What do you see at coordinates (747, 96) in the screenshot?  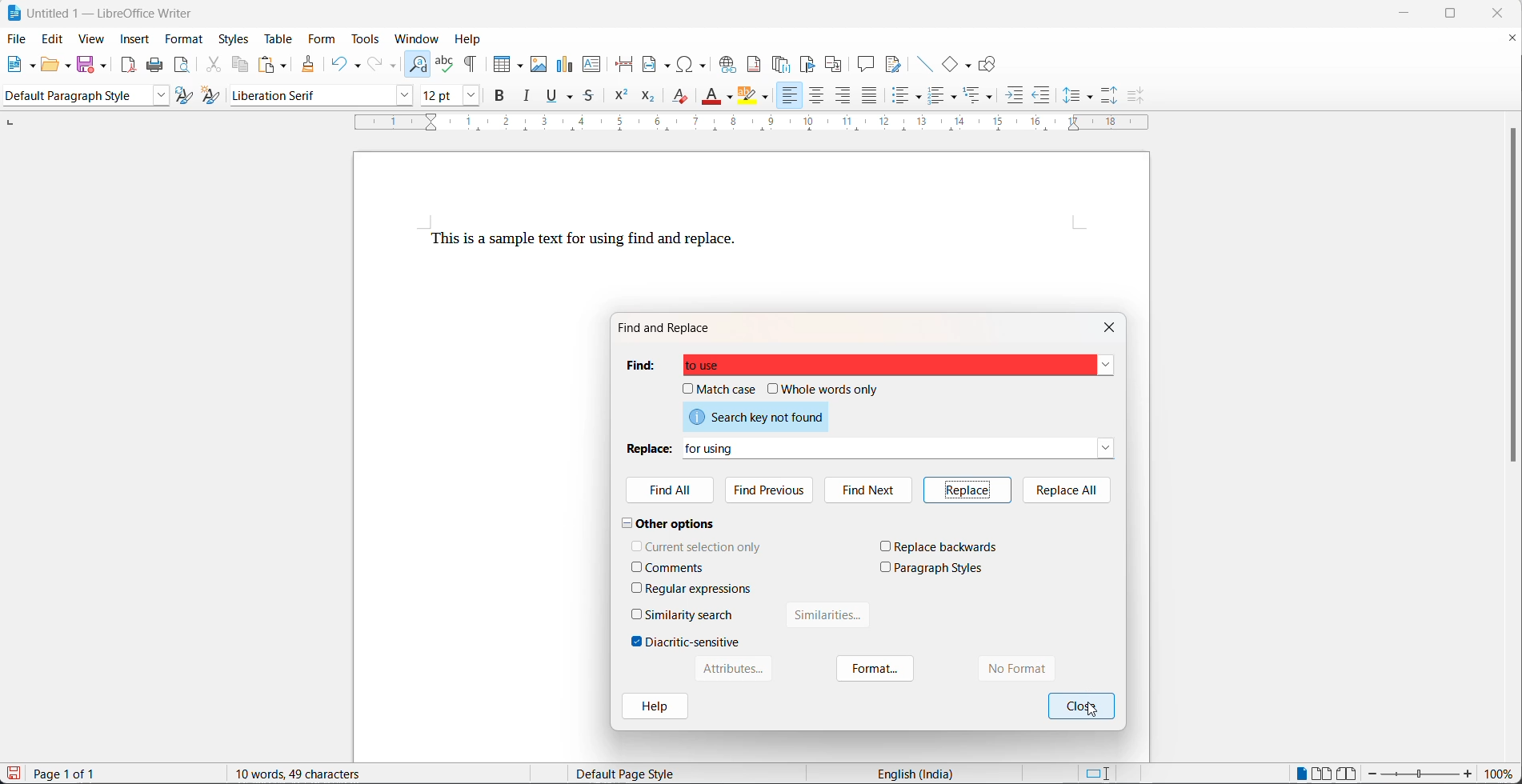 I see `character highlight` at bounding box center [747, 96].